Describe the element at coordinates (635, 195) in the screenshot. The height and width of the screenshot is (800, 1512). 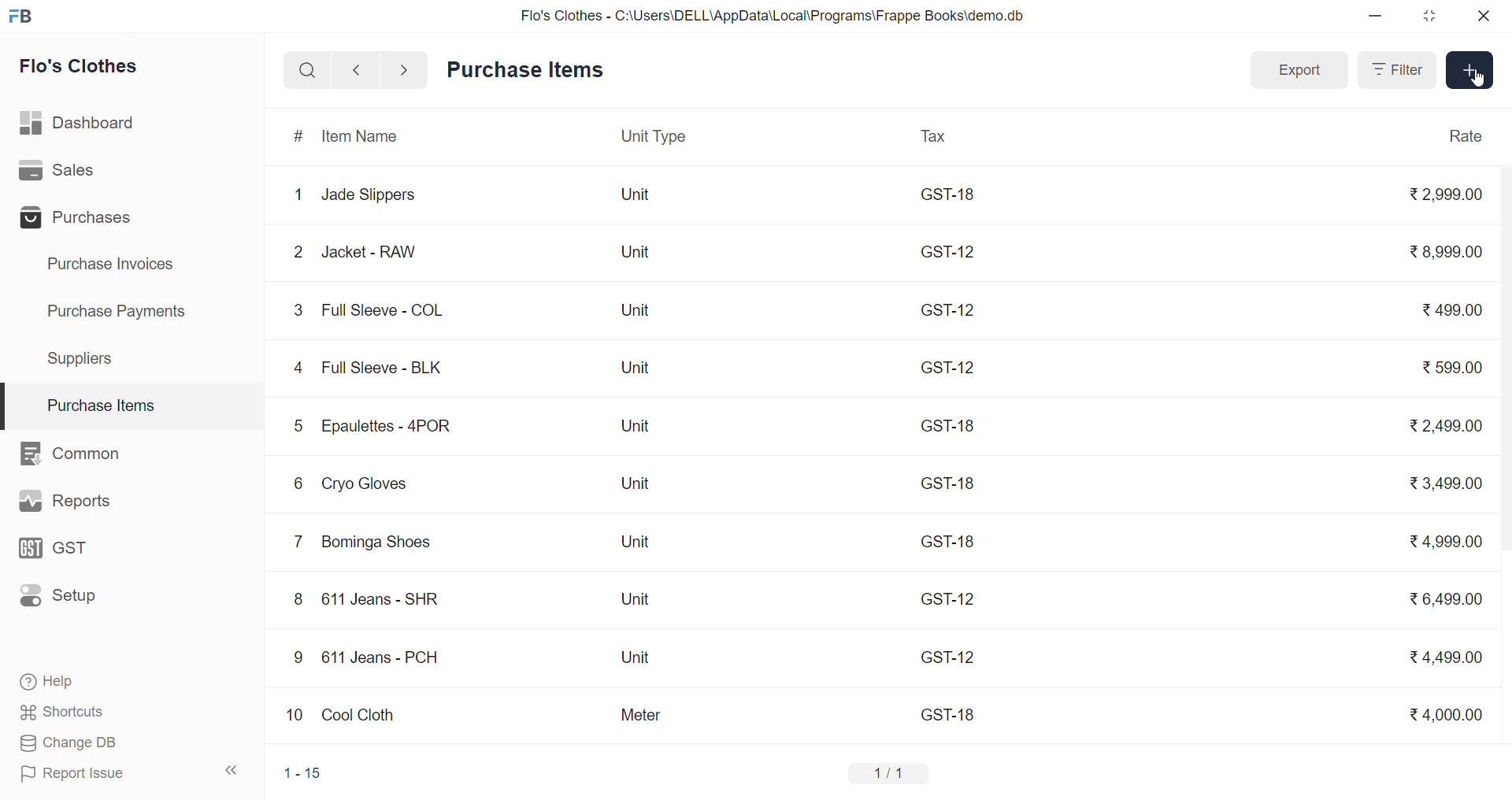
I see `Unit` at that location.